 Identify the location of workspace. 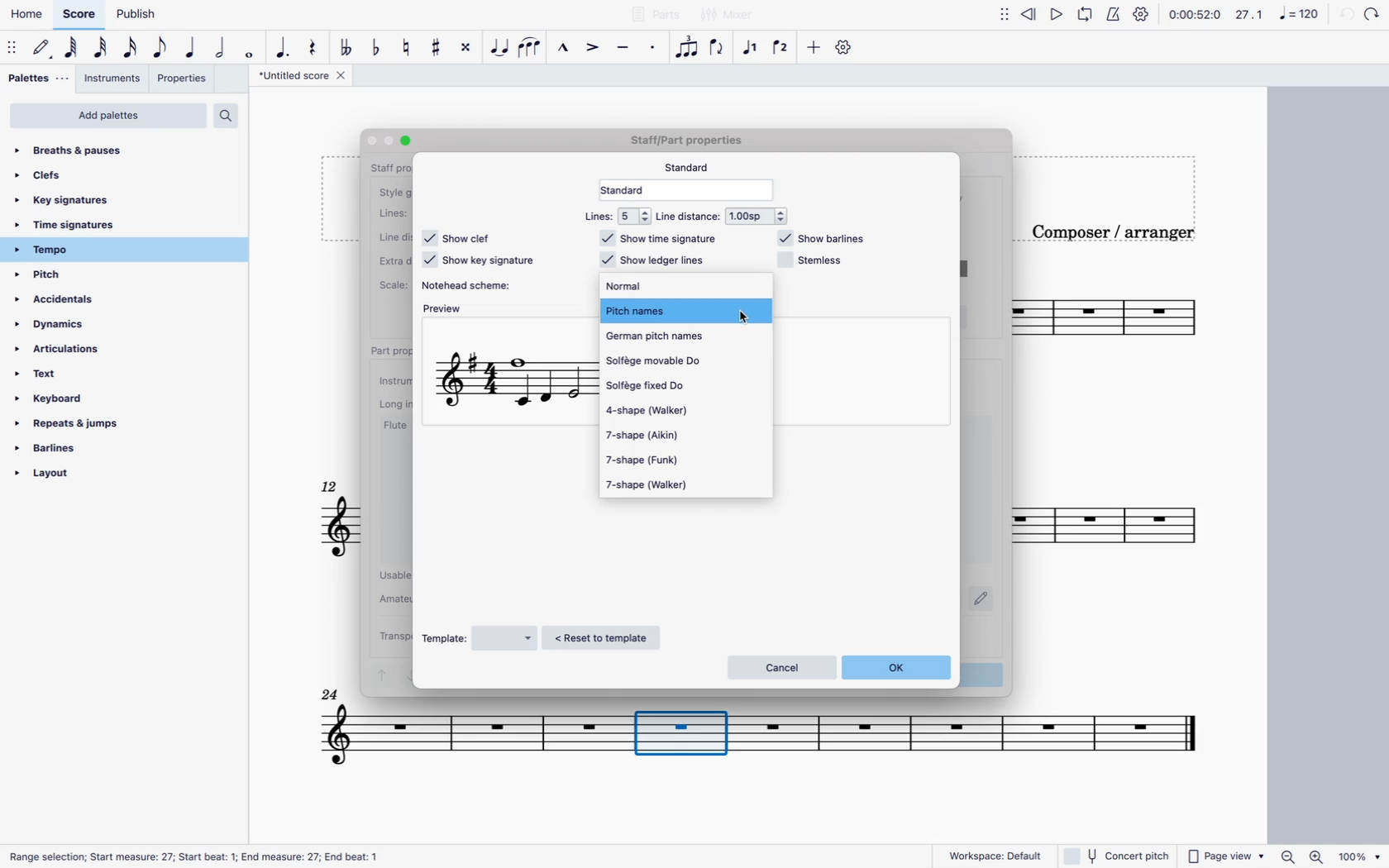
(996, 855).